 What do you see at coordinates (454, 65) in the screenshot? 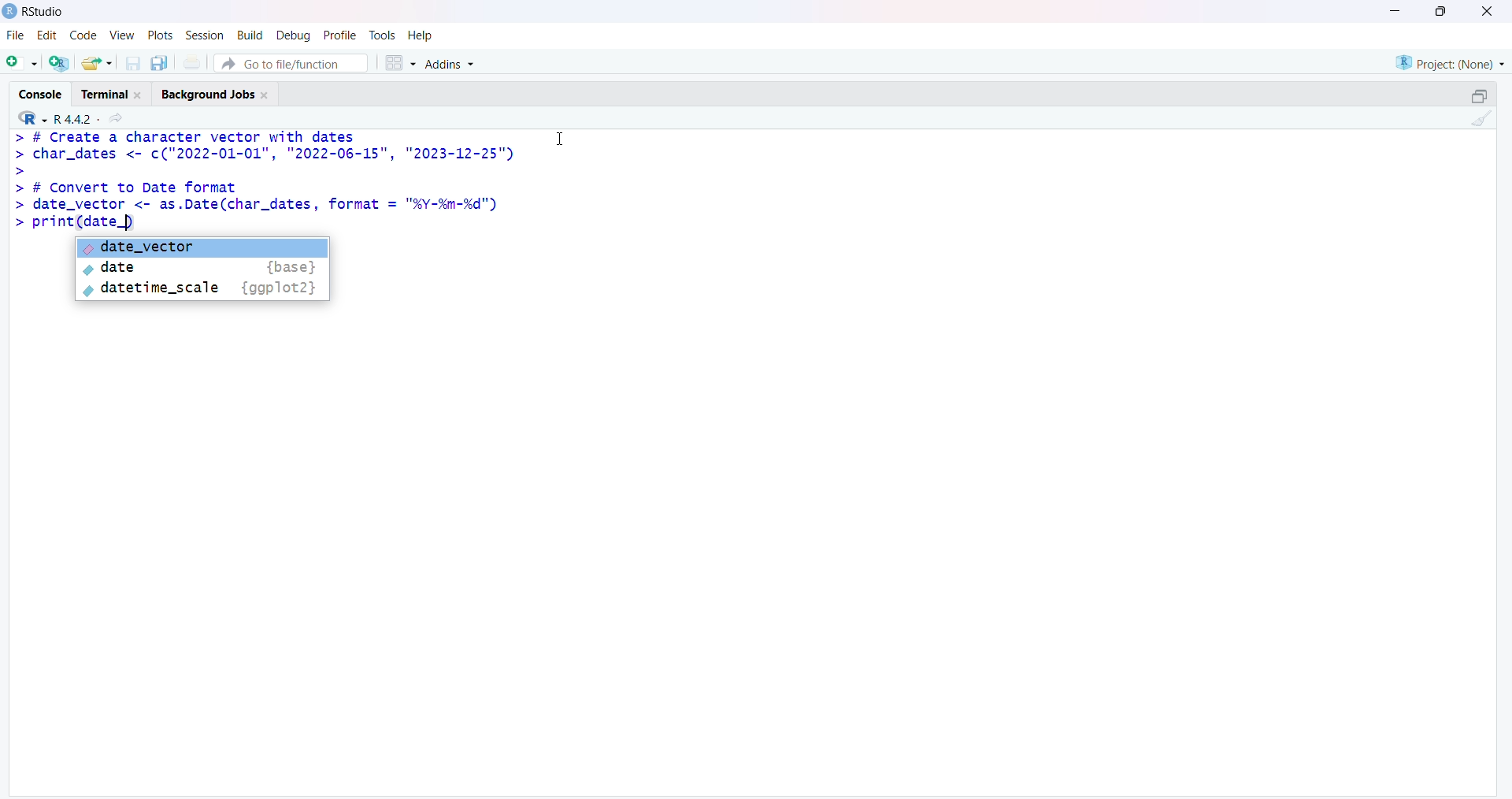
I see `Addins` at bounding box center [454, 65].